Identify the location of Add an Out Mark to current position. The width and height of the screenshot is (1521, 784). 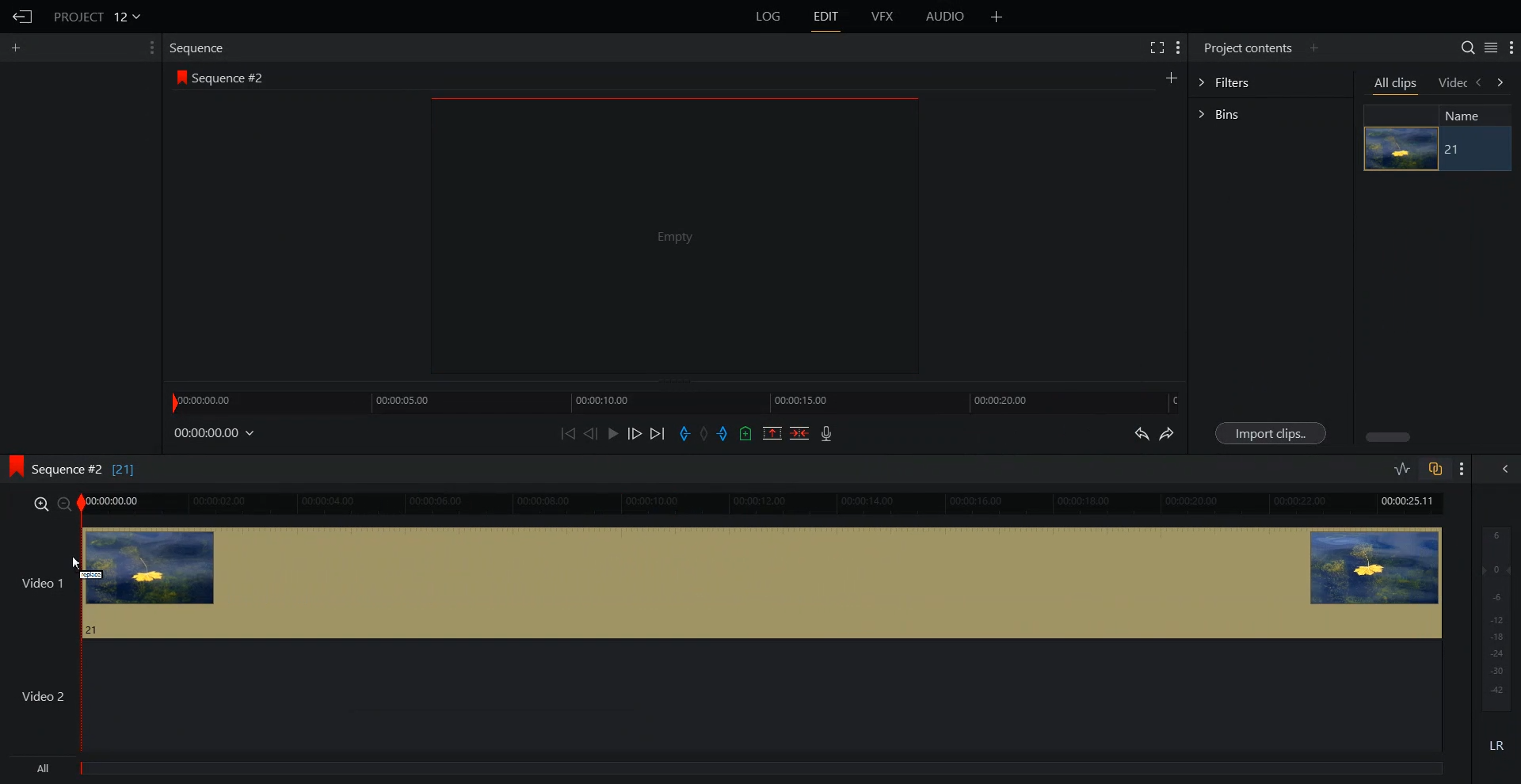
(724, 433).